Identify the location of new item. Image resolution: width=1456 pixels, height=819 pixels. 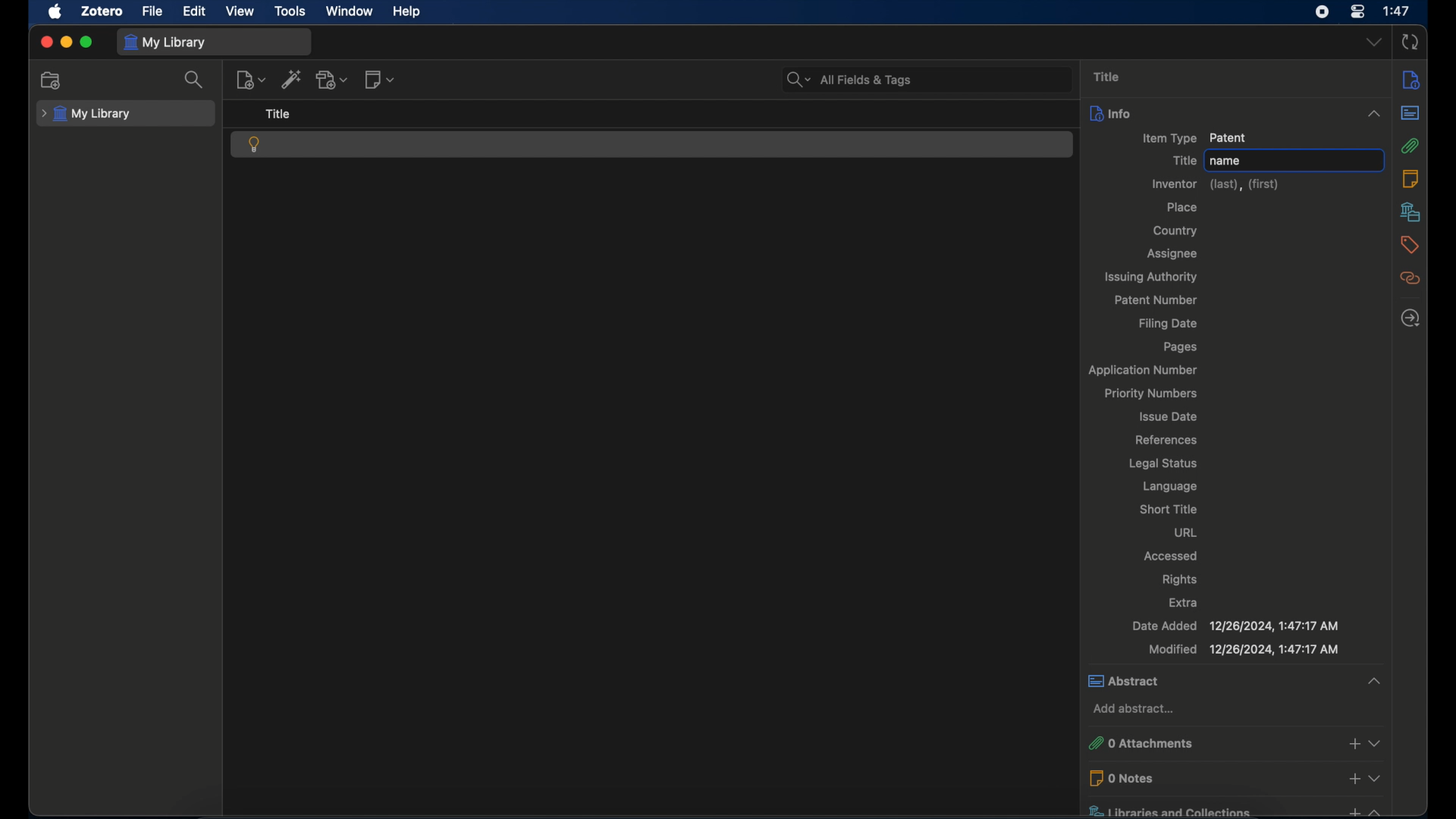
(250, 79).